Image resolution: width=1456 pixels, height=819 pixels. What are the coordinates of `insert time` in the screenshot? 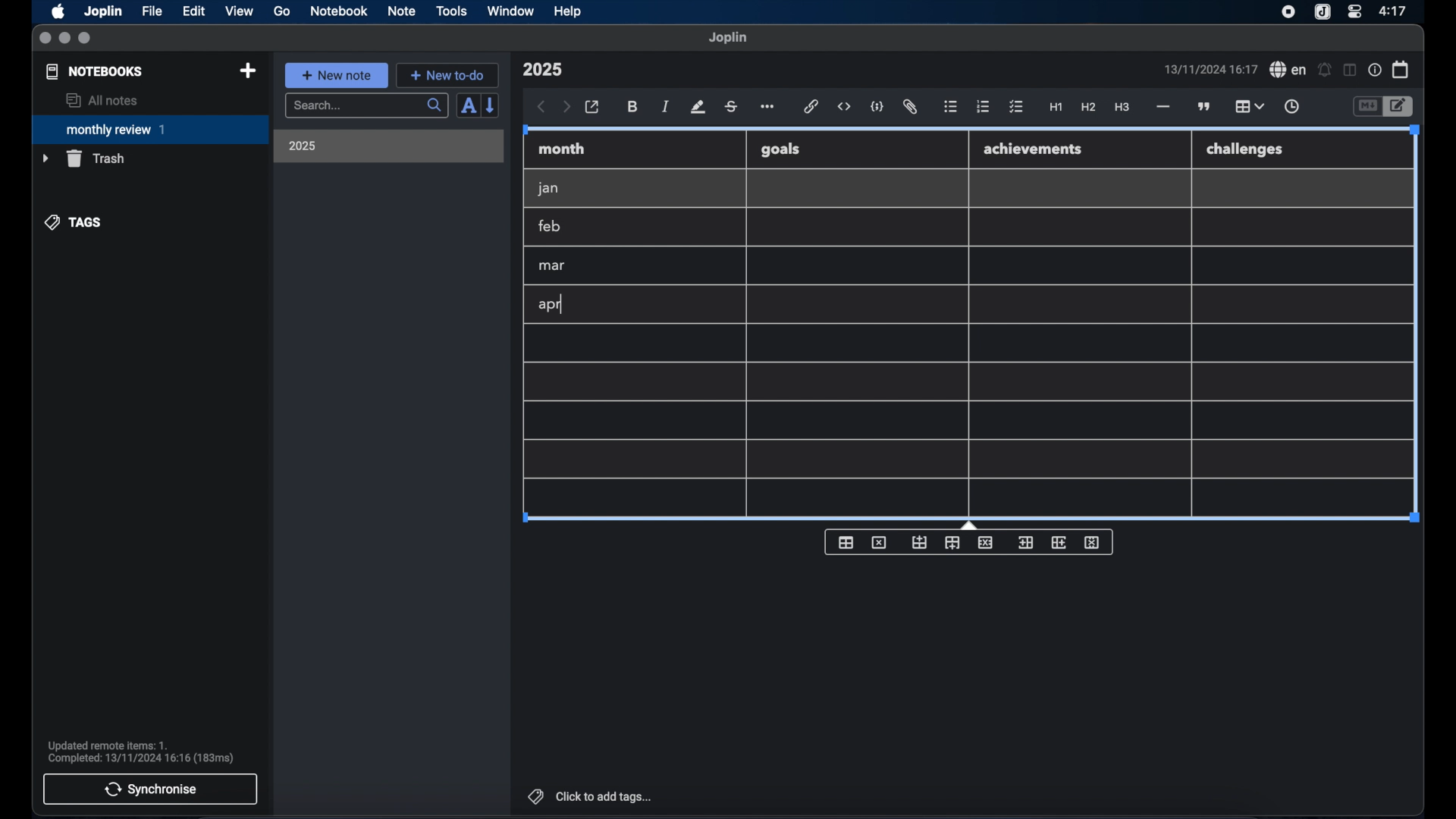 It's located at (1291, 107).